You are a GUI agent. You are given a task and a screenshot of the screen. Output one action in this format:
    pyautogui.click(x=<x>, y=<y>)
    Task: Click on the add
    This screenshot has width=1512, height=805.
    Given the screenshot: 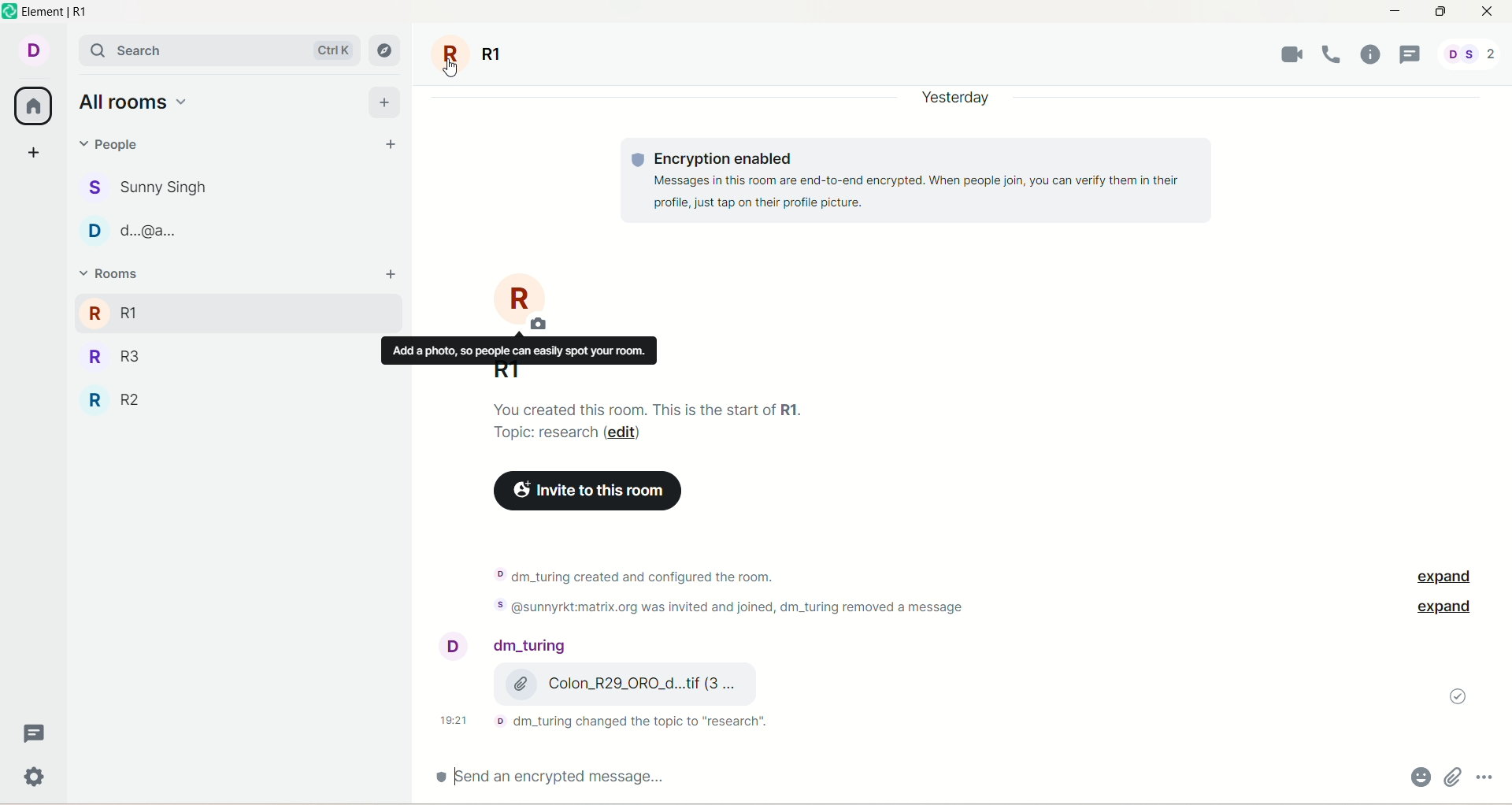 What is the action you would take?
    pyautogui.click(x=395, y=273)
    